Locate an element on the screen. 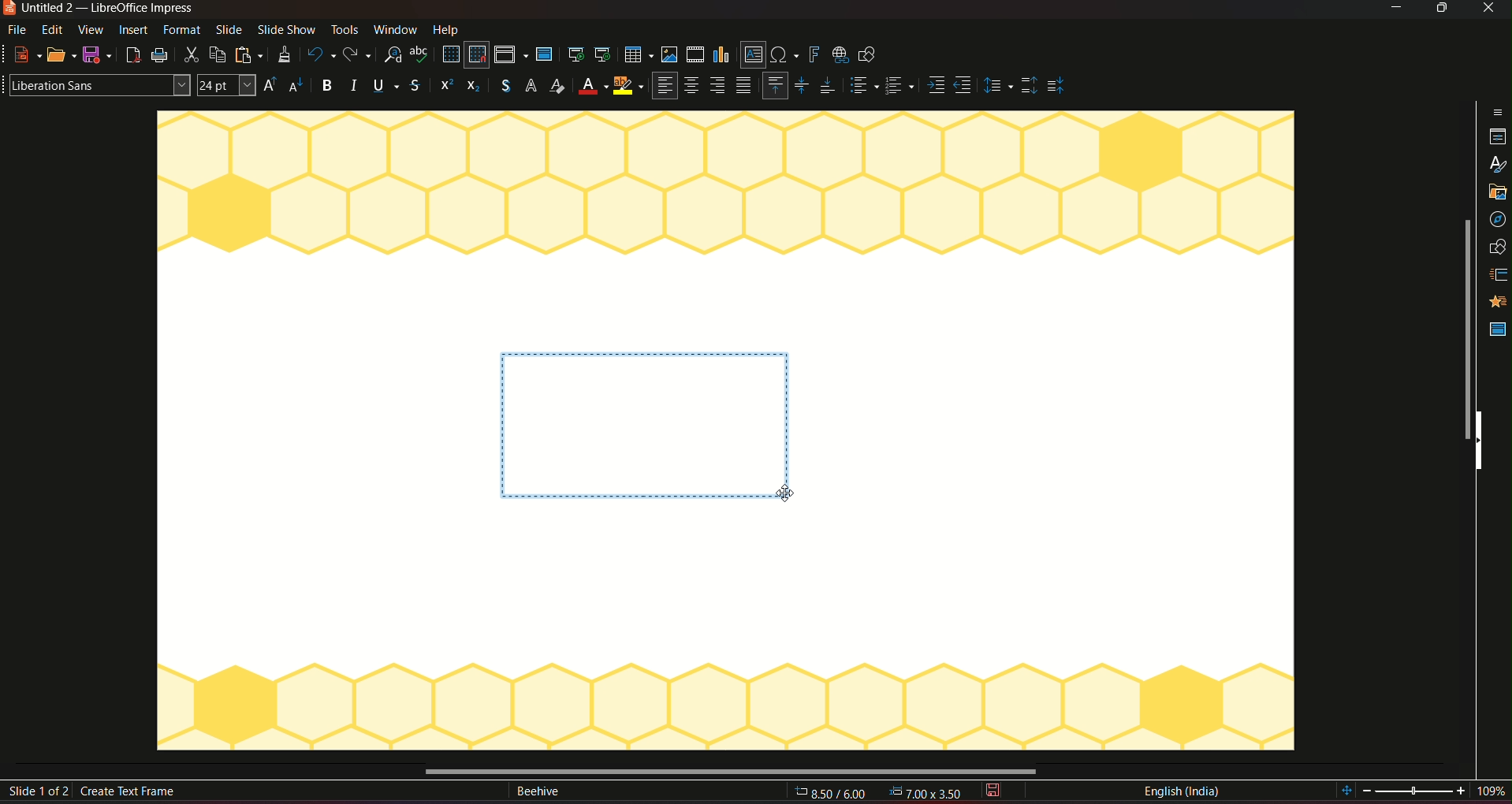  Align bottom is located at coordinates (828, 86).